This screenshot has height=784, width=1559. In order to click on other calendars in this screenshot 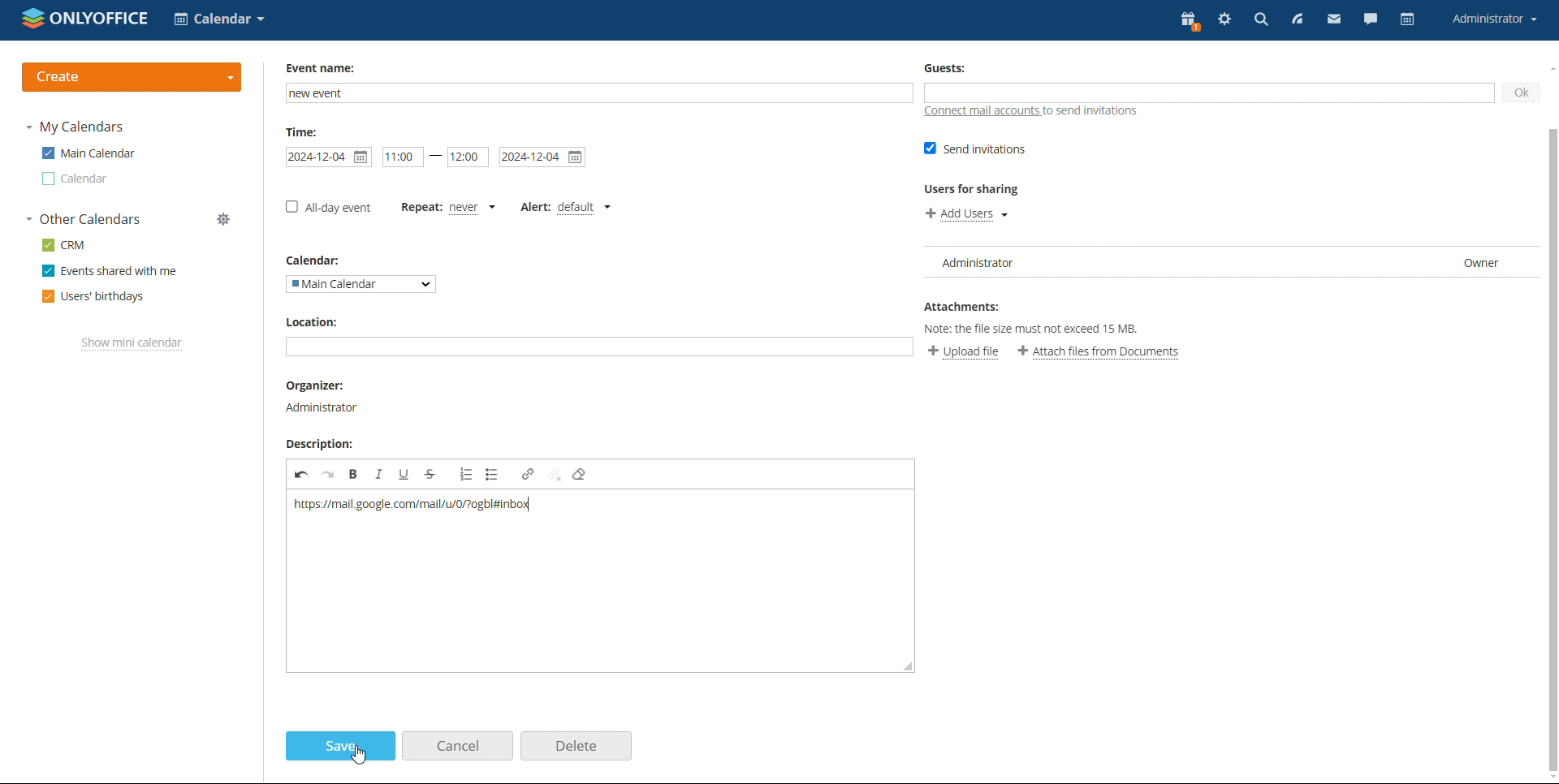, I will do `click(84, 220)`.